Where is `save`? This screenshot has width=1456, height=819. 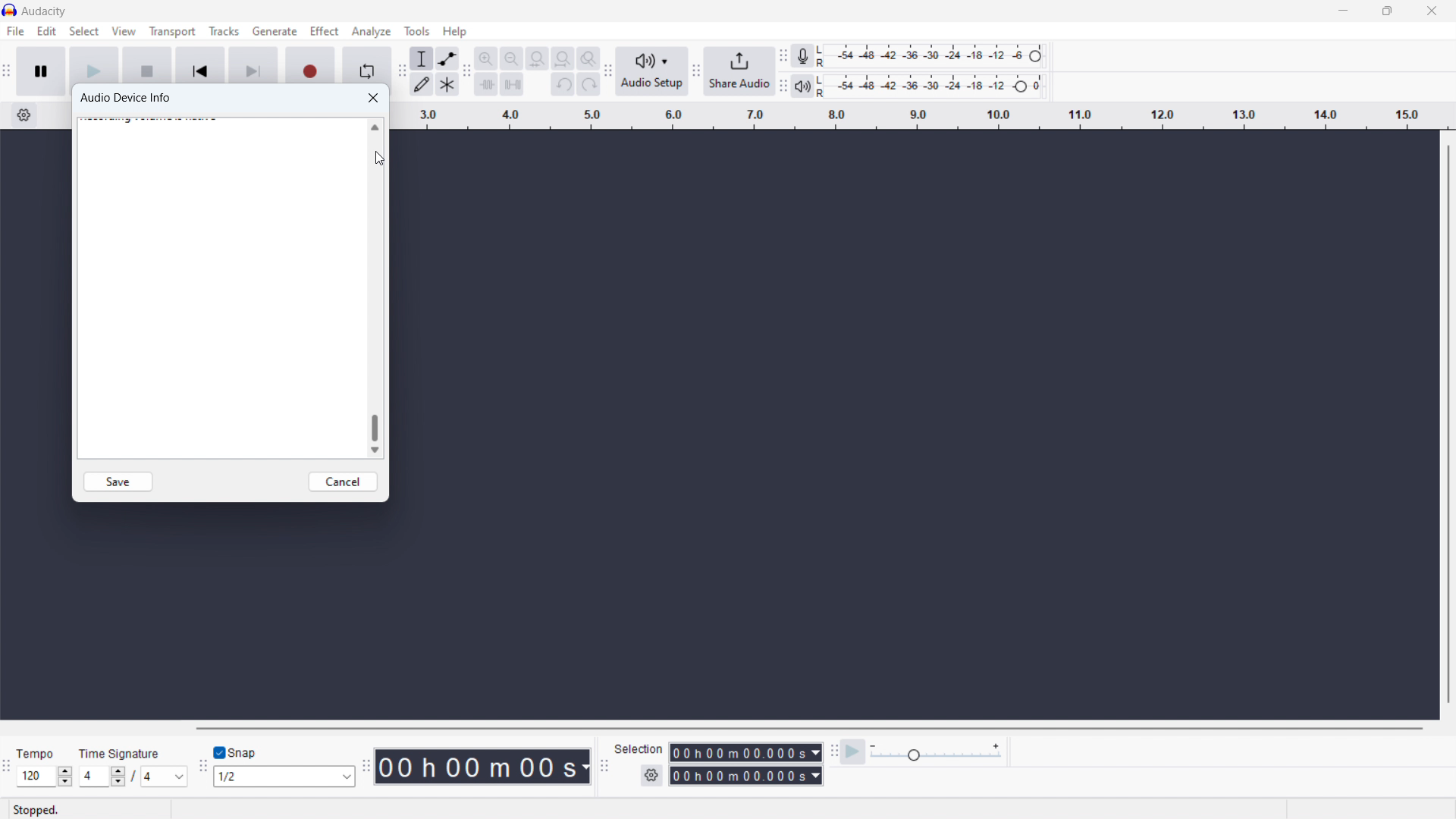
save is located at coordinates (116, 482).